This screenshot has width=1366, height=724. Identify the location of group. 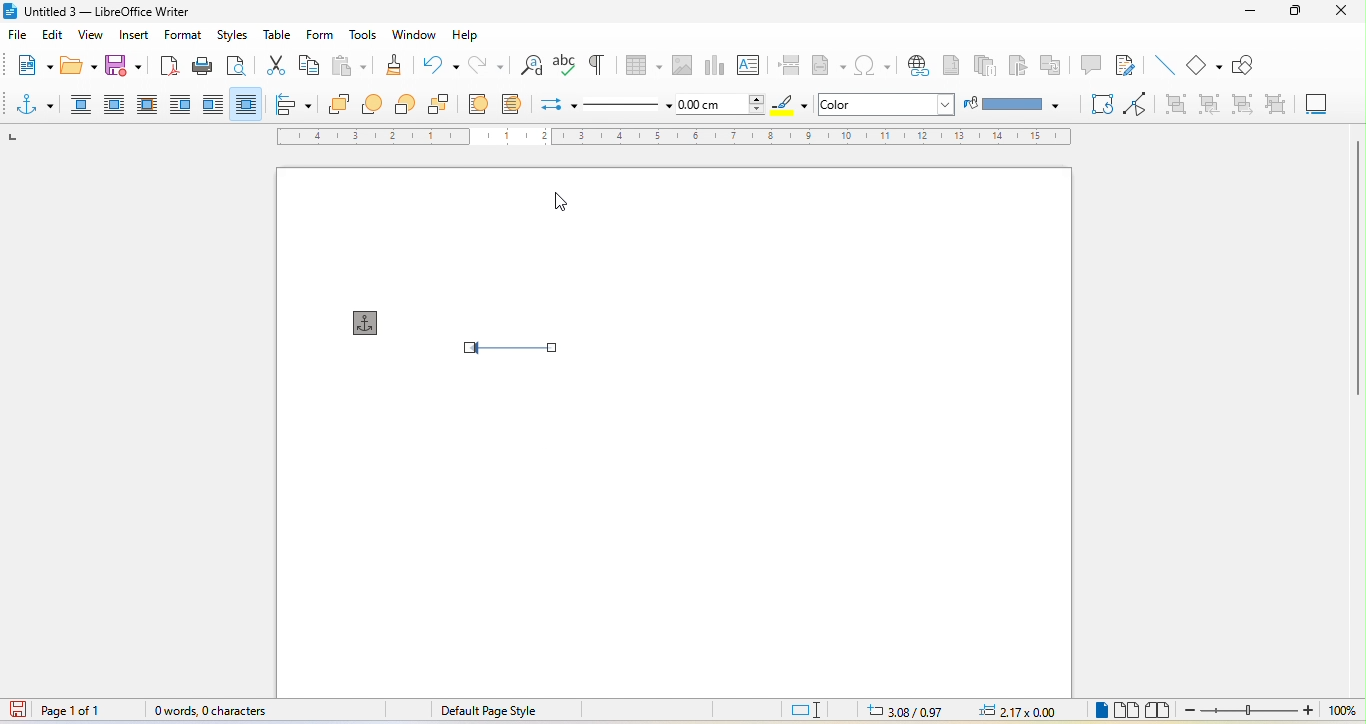
(1175, 103).